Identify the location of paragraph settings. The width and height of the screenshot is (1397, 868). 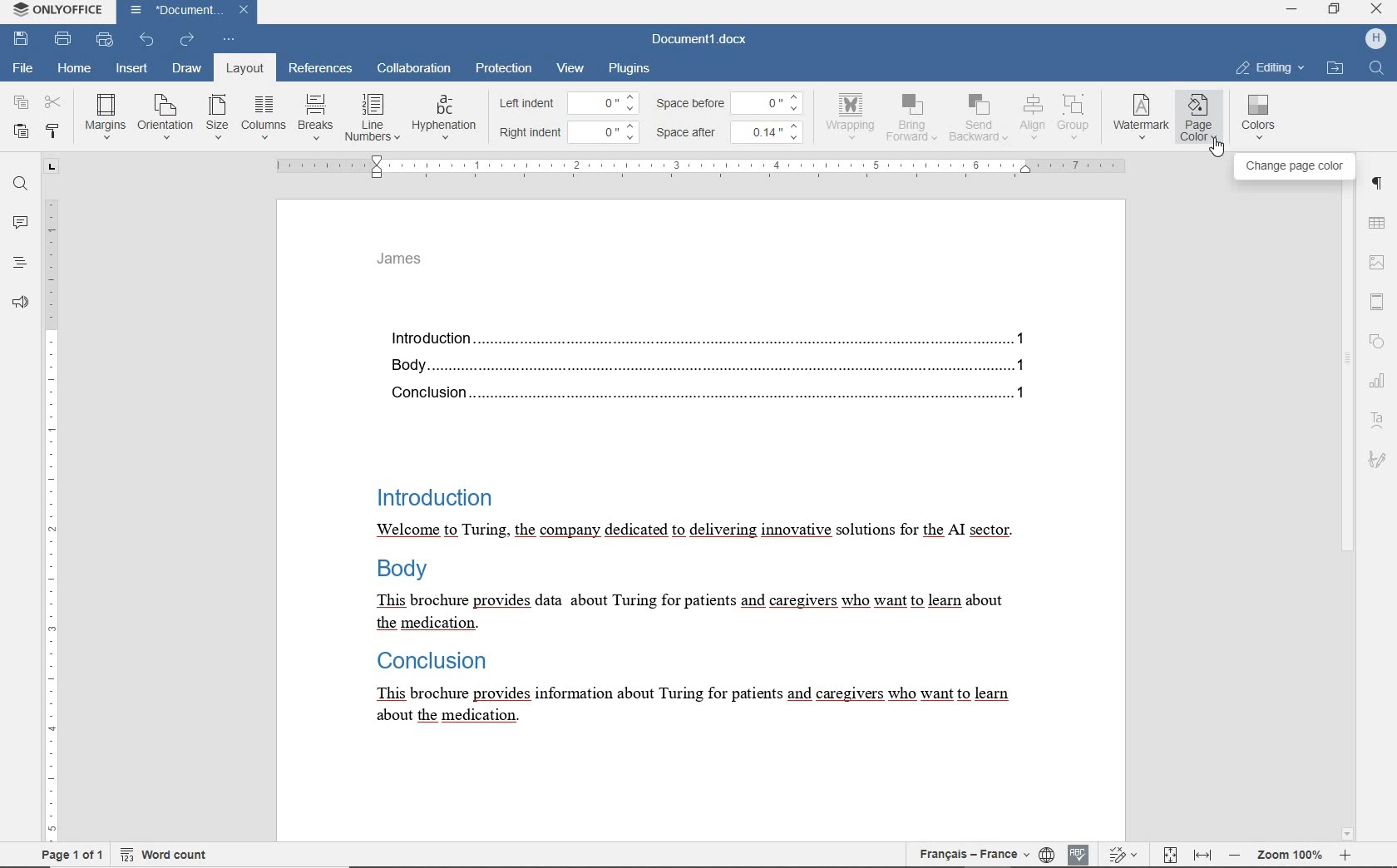
(1379, 186).